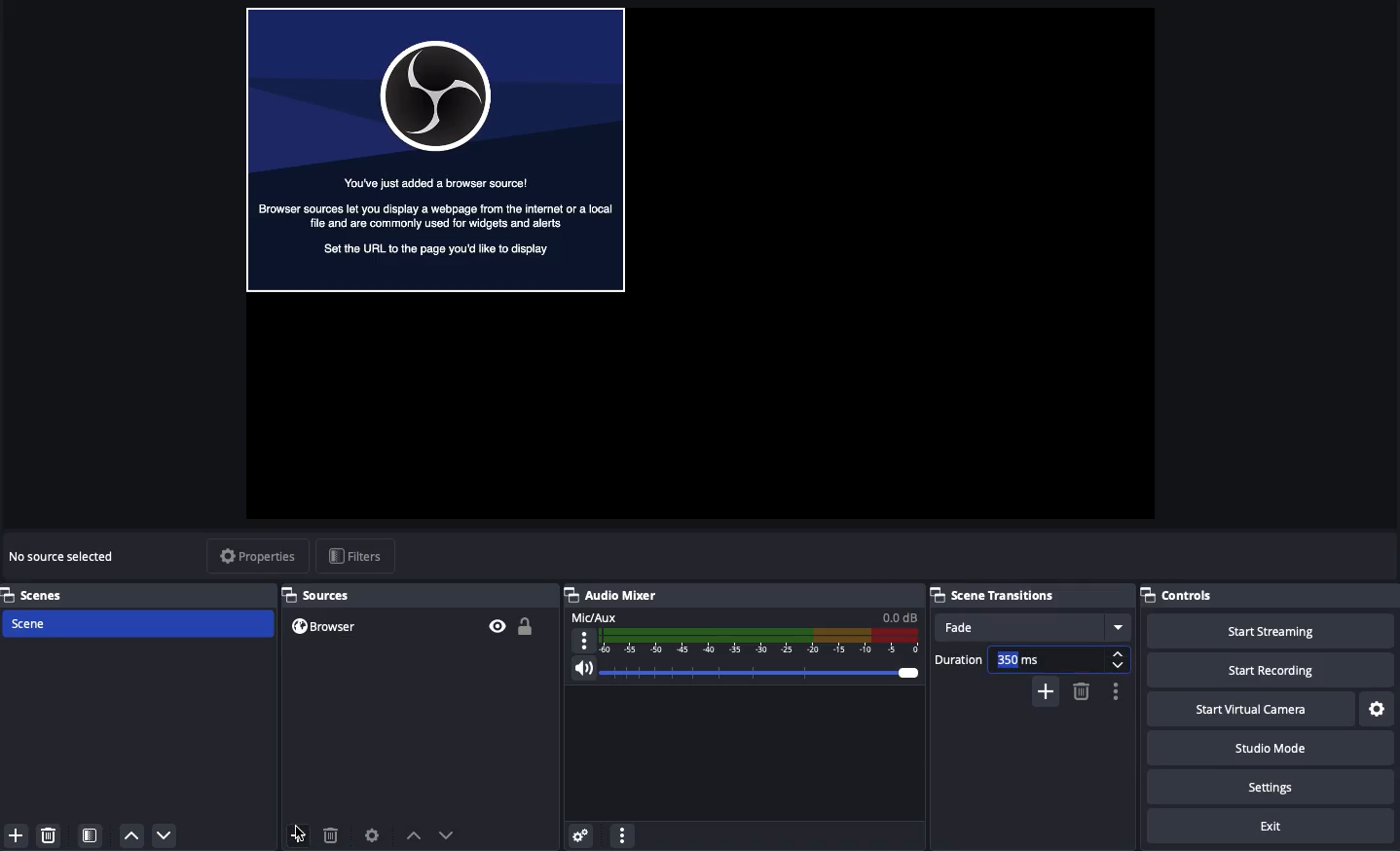  I want to click on Move up, so click(413, 835).